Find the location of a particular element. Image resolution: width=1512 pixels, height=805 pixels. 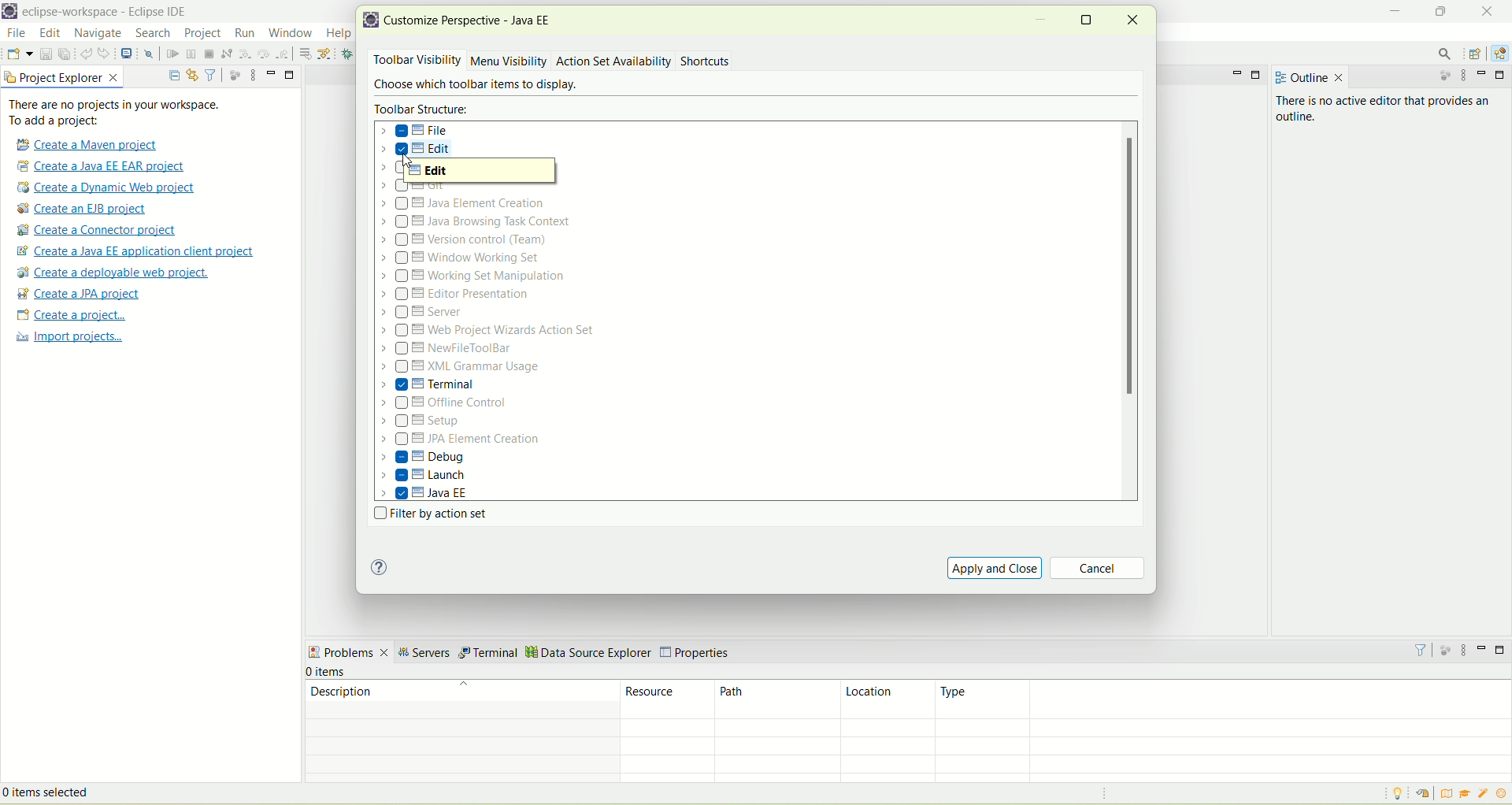

project is located at coordinates (202, 33).